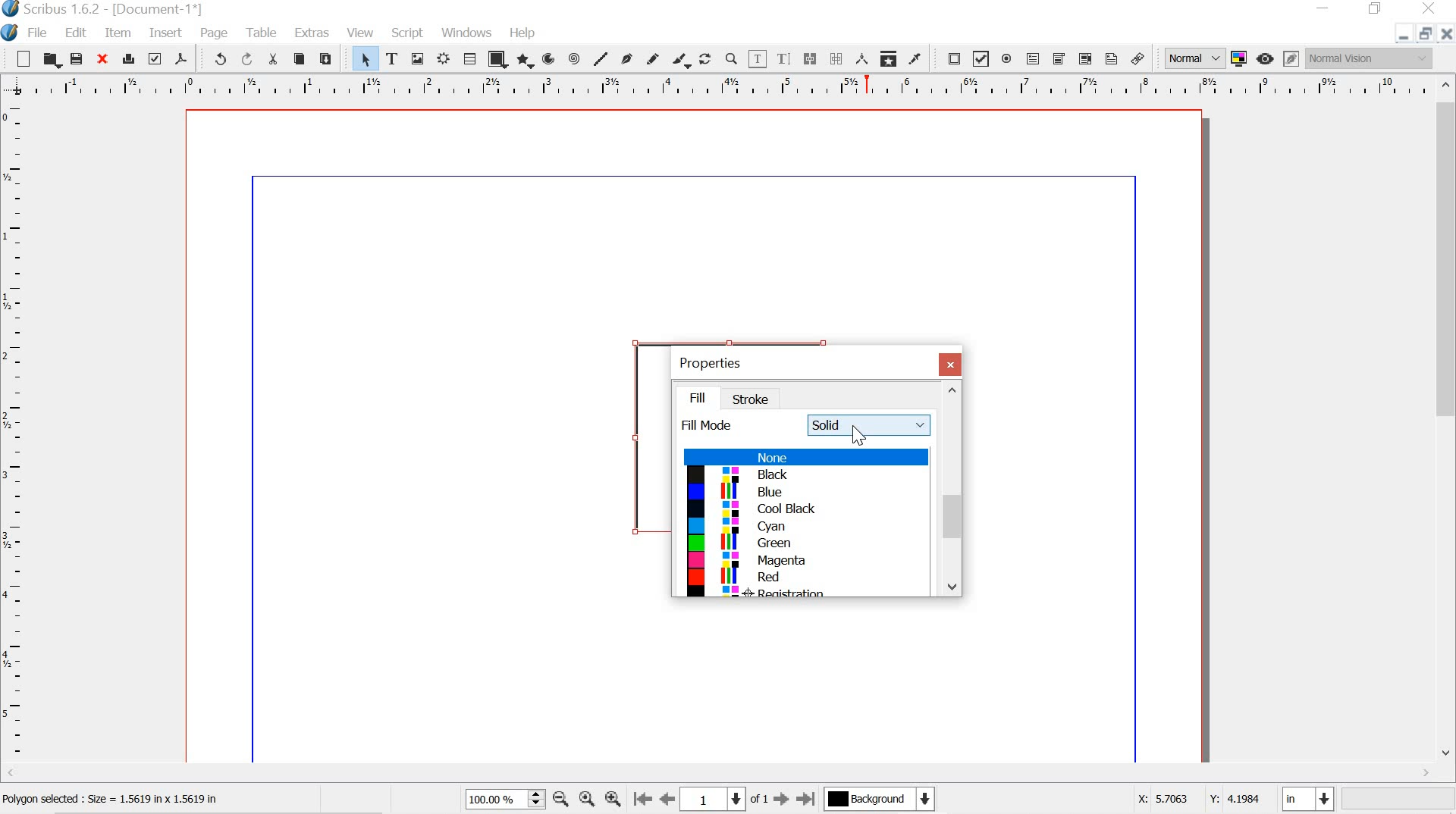  What do you see at coordinates (704, 396) in the screenshot?
I see `fill` at bounding box center [704, 396].